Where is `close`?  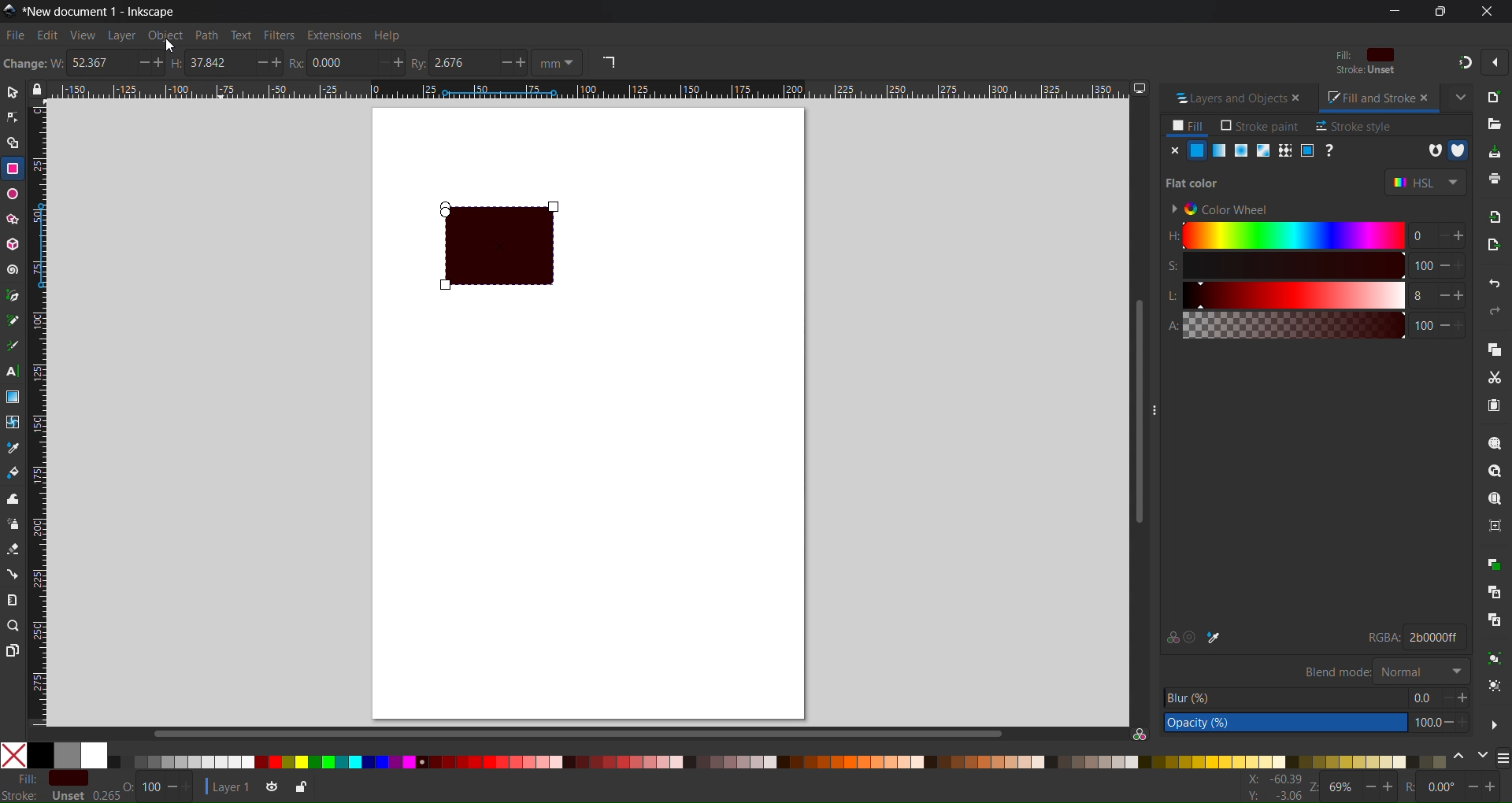 close is located at coordinates (1299, 98).